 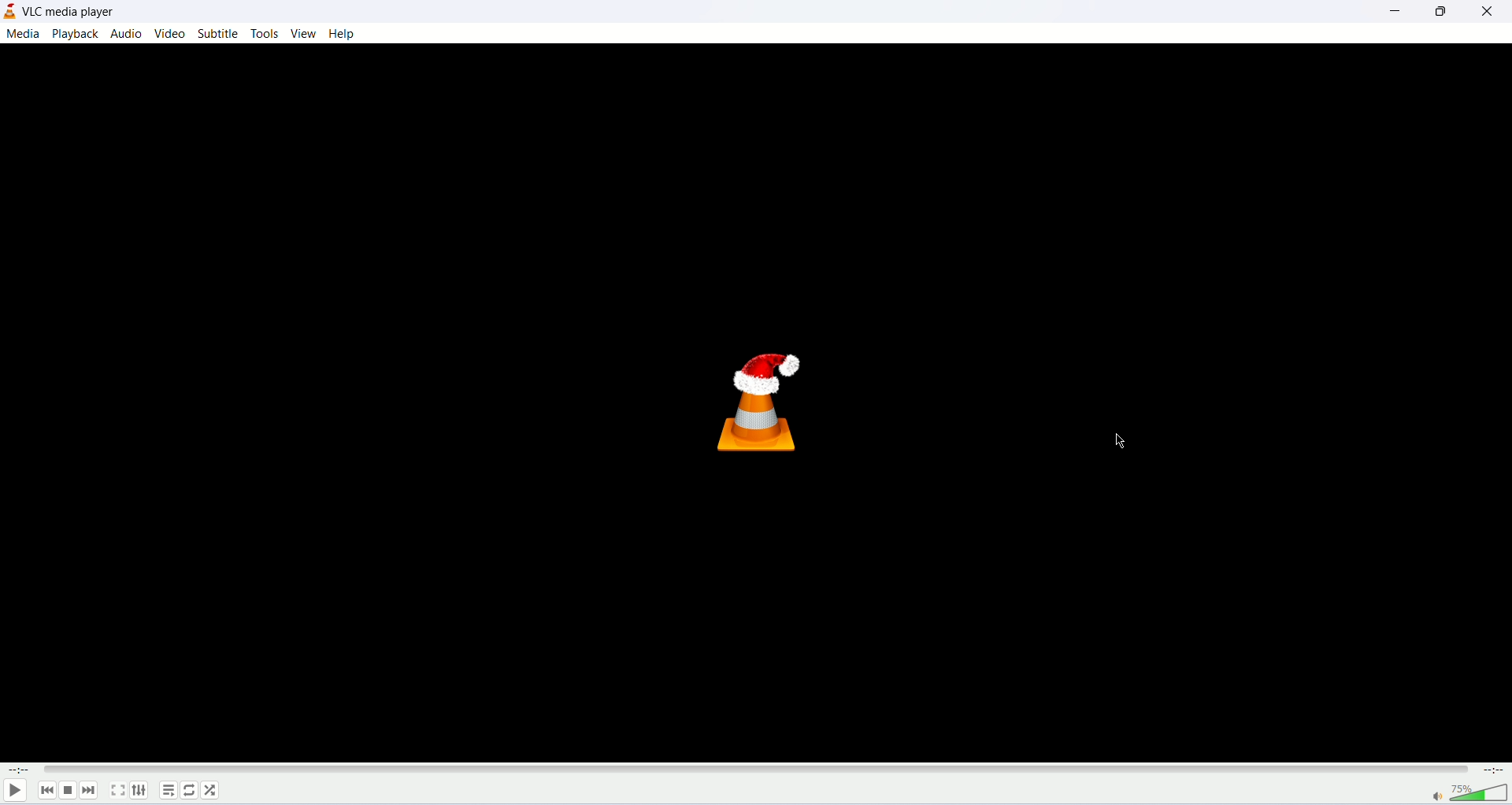 I want to click on stop, so click(x=68, y=792).